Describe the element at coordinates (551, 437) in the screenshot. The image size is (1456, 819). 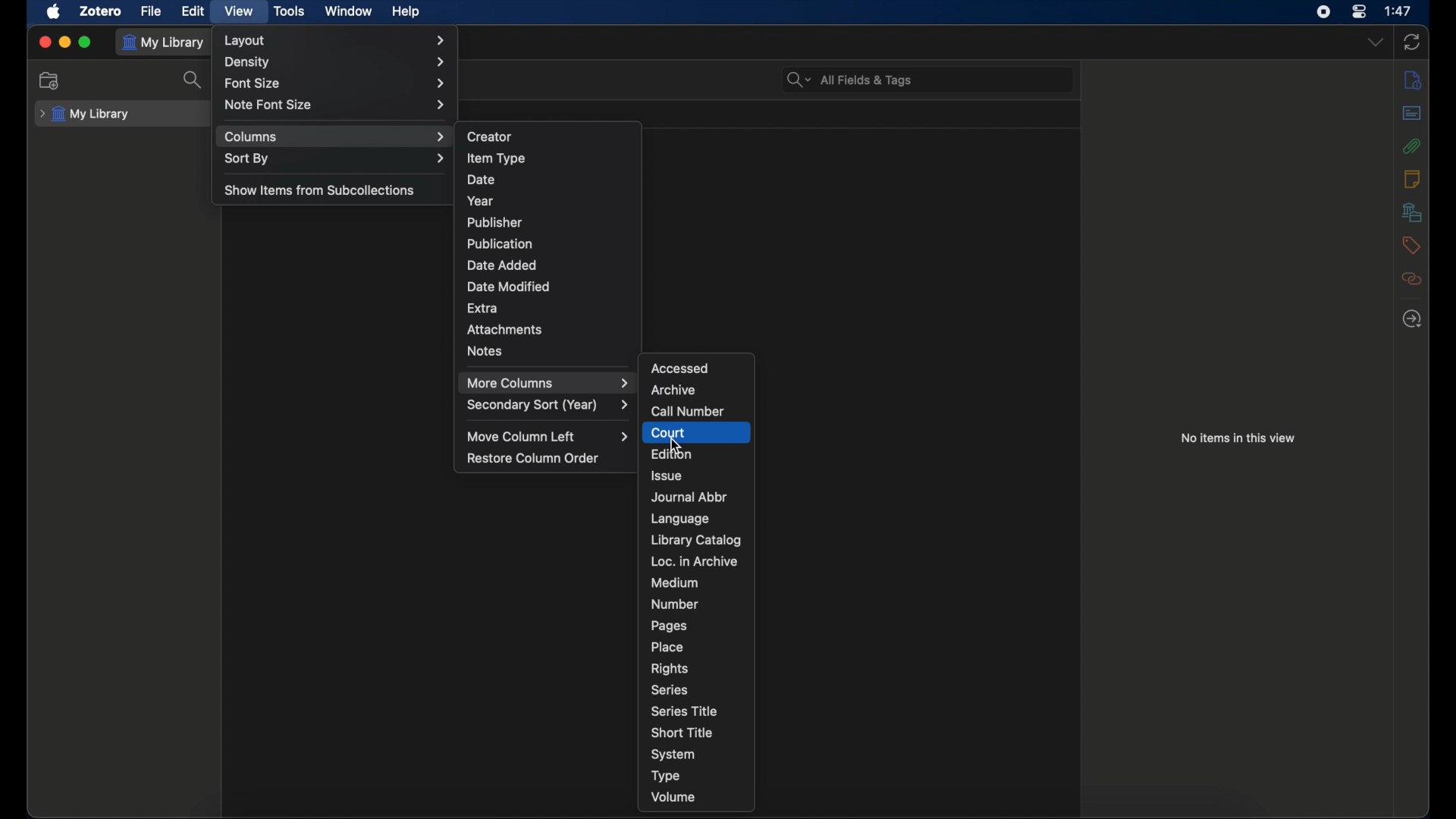
I see `move column left` at that location.